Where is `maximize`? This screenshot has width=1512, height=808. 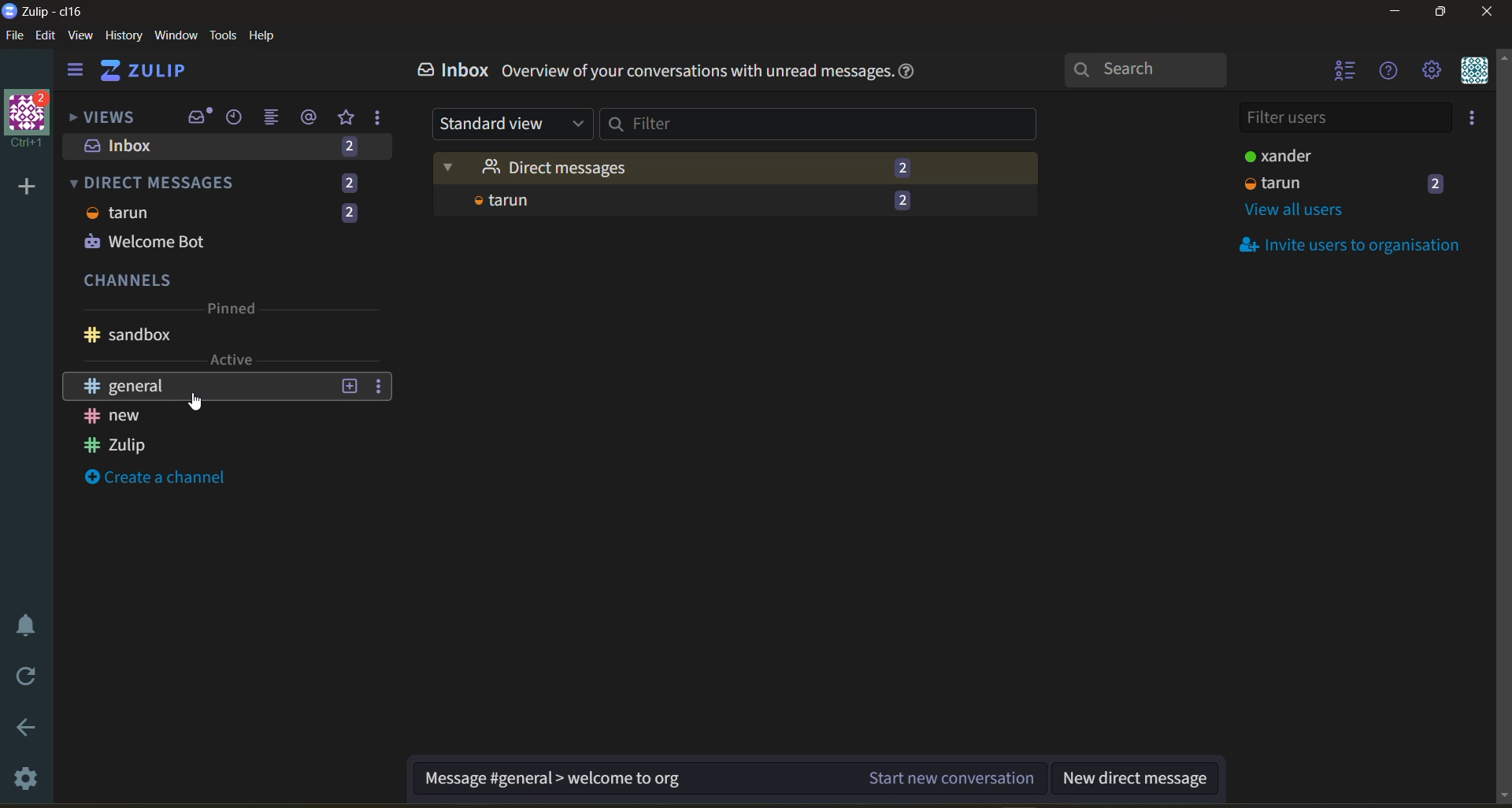 maximize is located at coordinates (1437, 17).